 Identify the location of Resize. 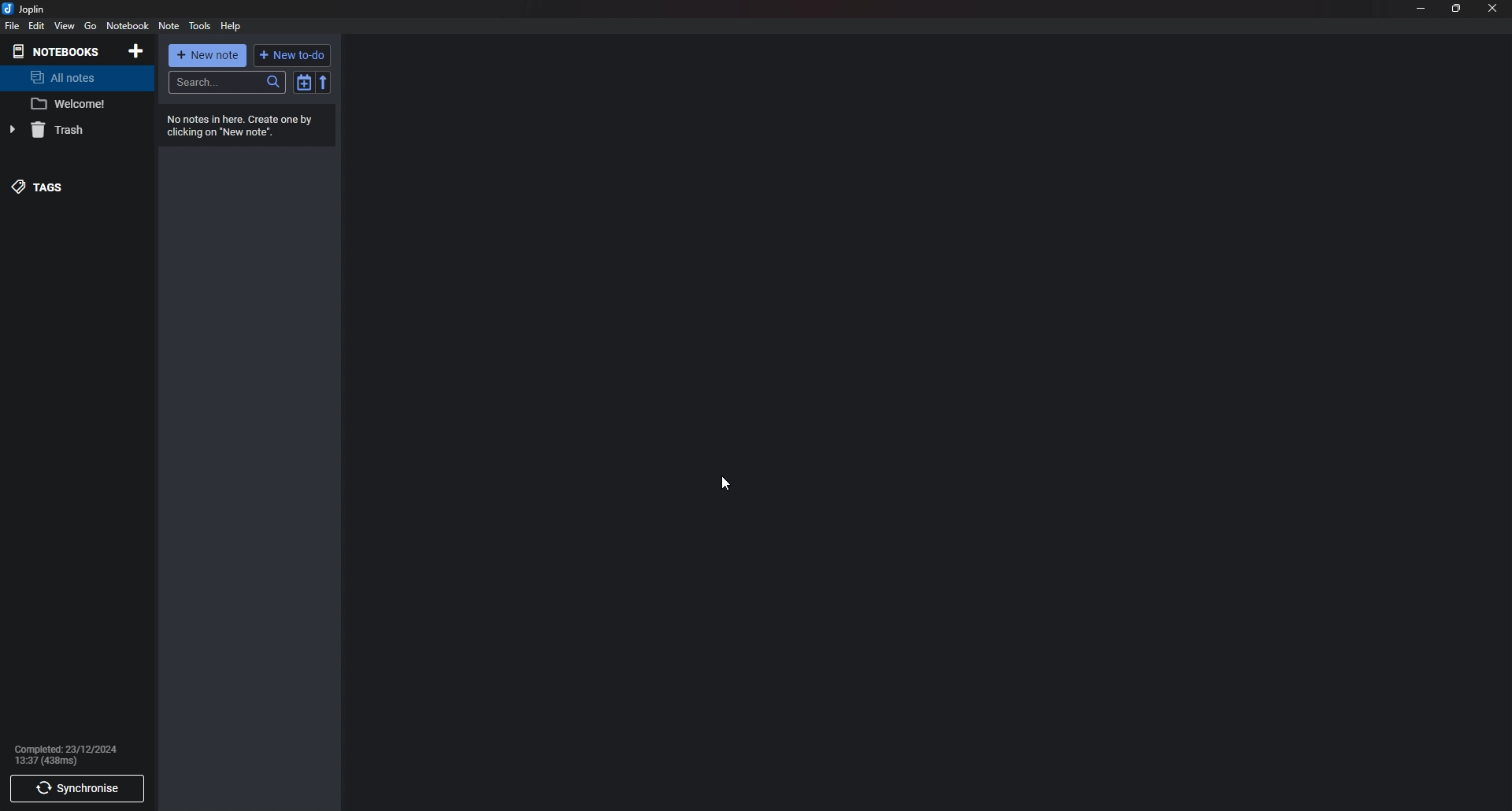
(1455, 9).